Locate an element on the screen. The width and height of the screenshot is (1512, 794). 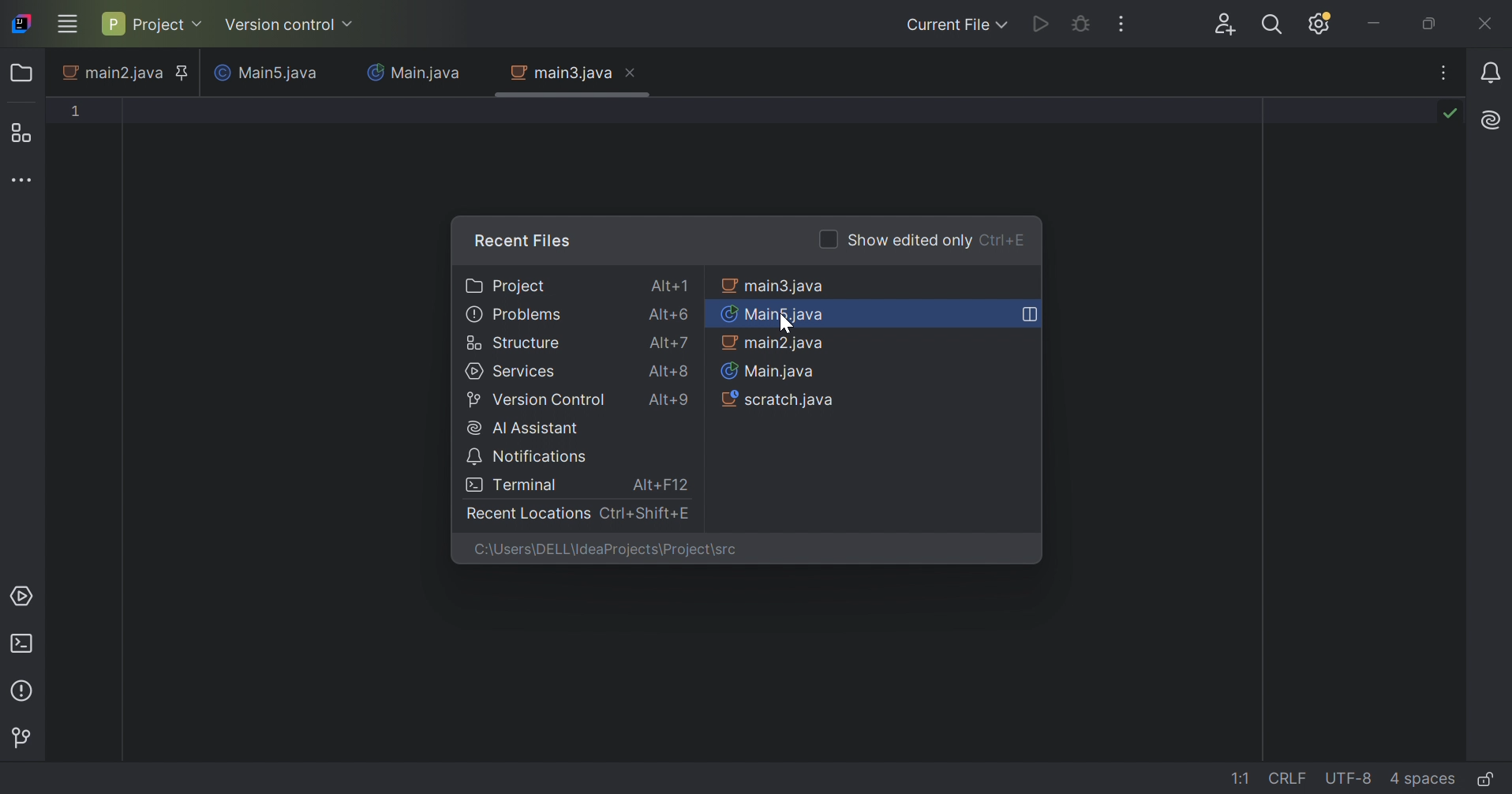
Recent Actions is located at coordinates (530, 514).